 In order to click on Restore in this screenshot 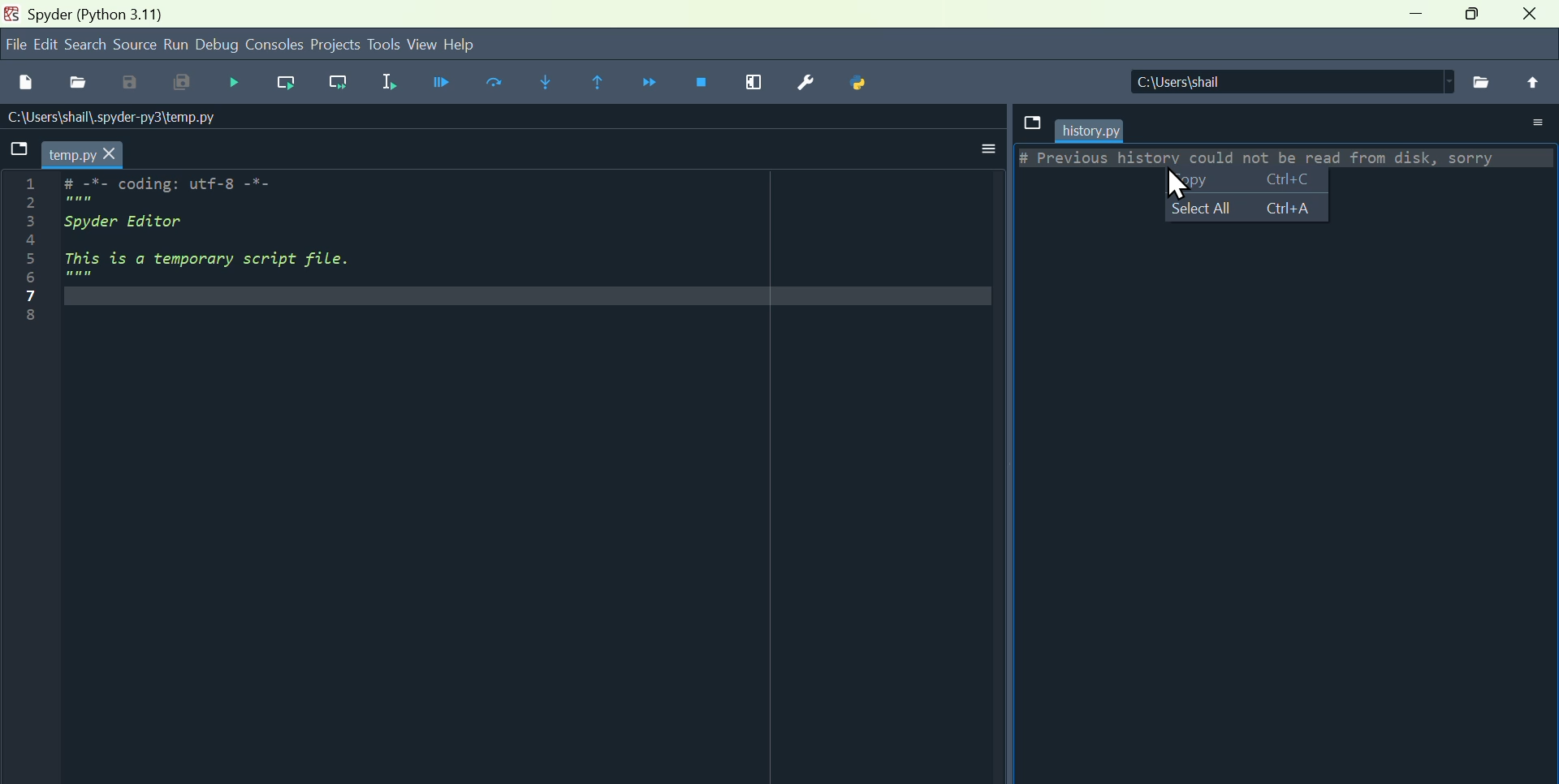, I will do `click(1471, 13)`.